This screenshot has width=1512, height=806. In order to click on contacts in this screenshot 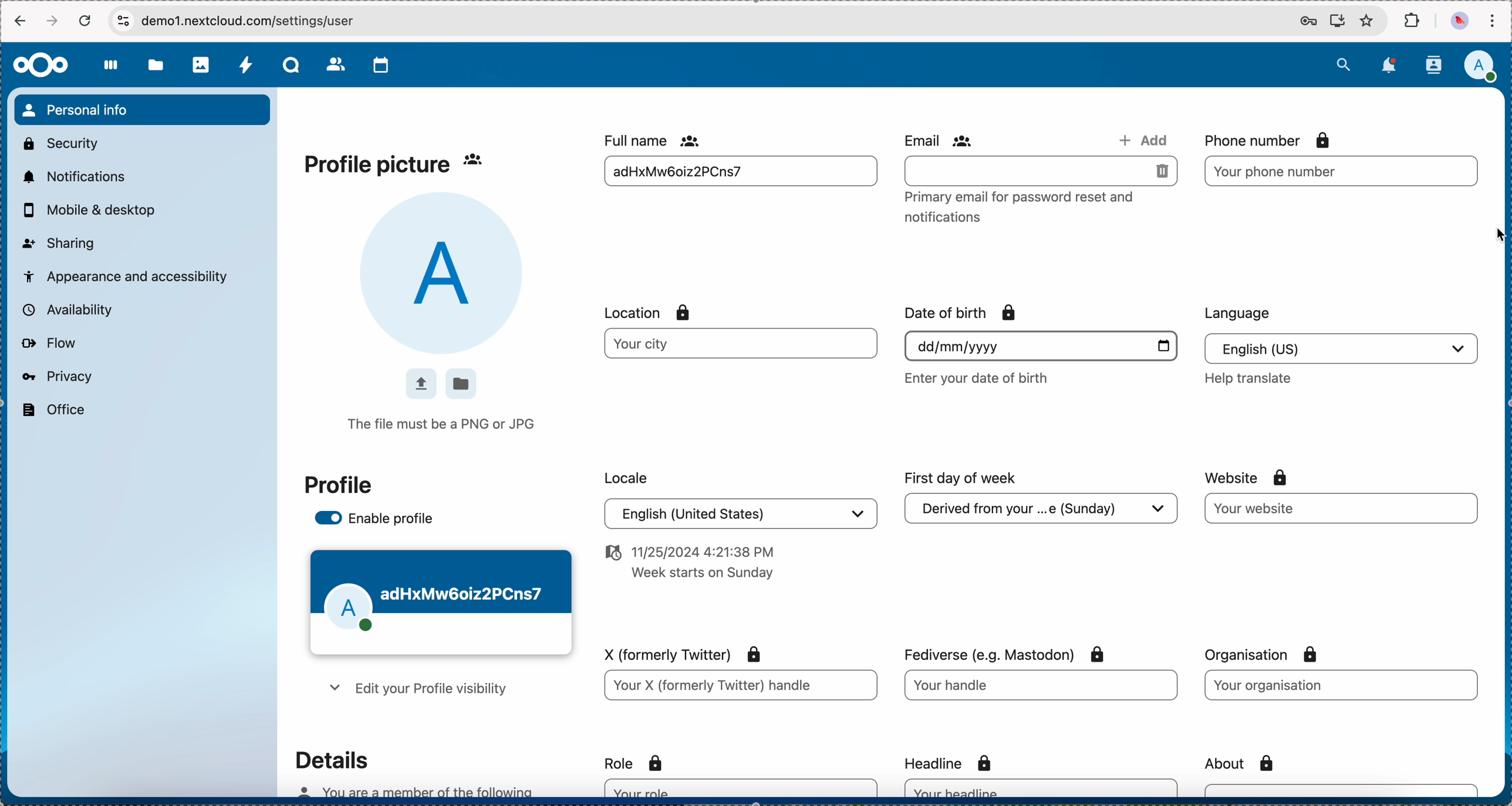, I will do `click(336, 66)`.